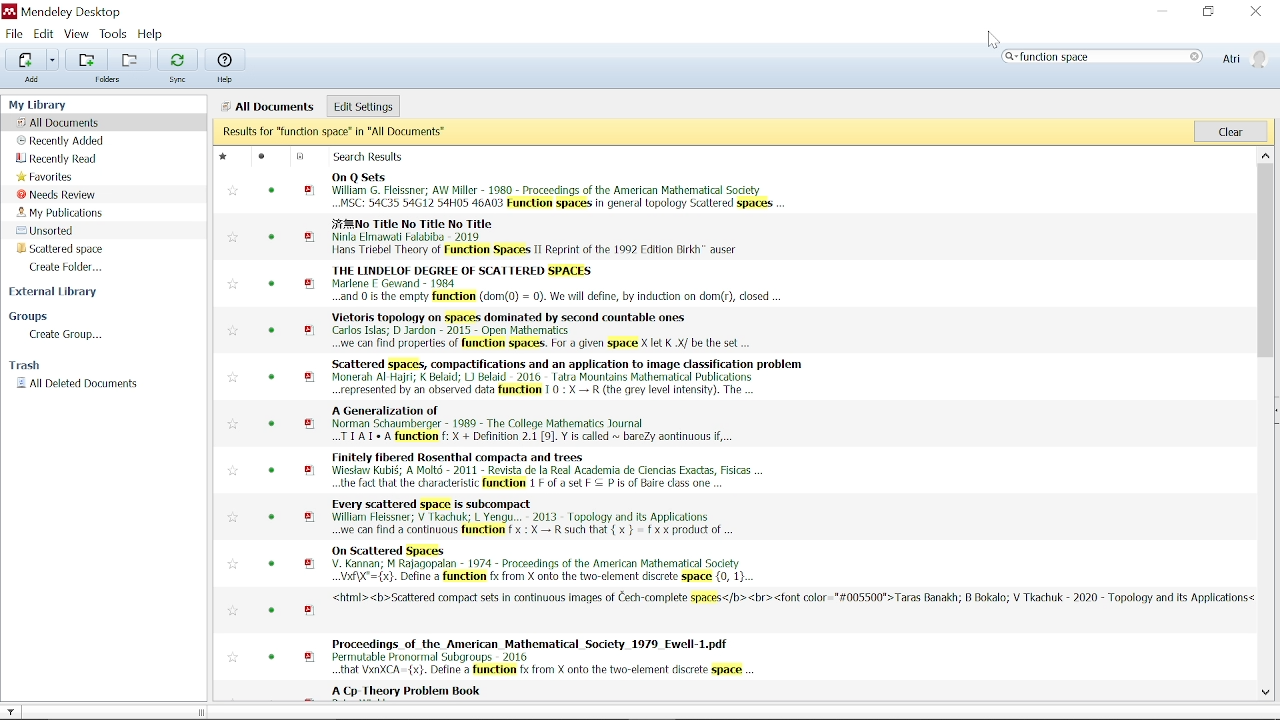 Image resolution: width=1280 pixels, height=720 pixels. I want to click on Vietoris topology on spaces dominated by second countable ones Carlos Islas; D Jardon - 301 - en thematicwe can find properties of | spaces. or a given space X let K X/ be the set, so click(757, 330).